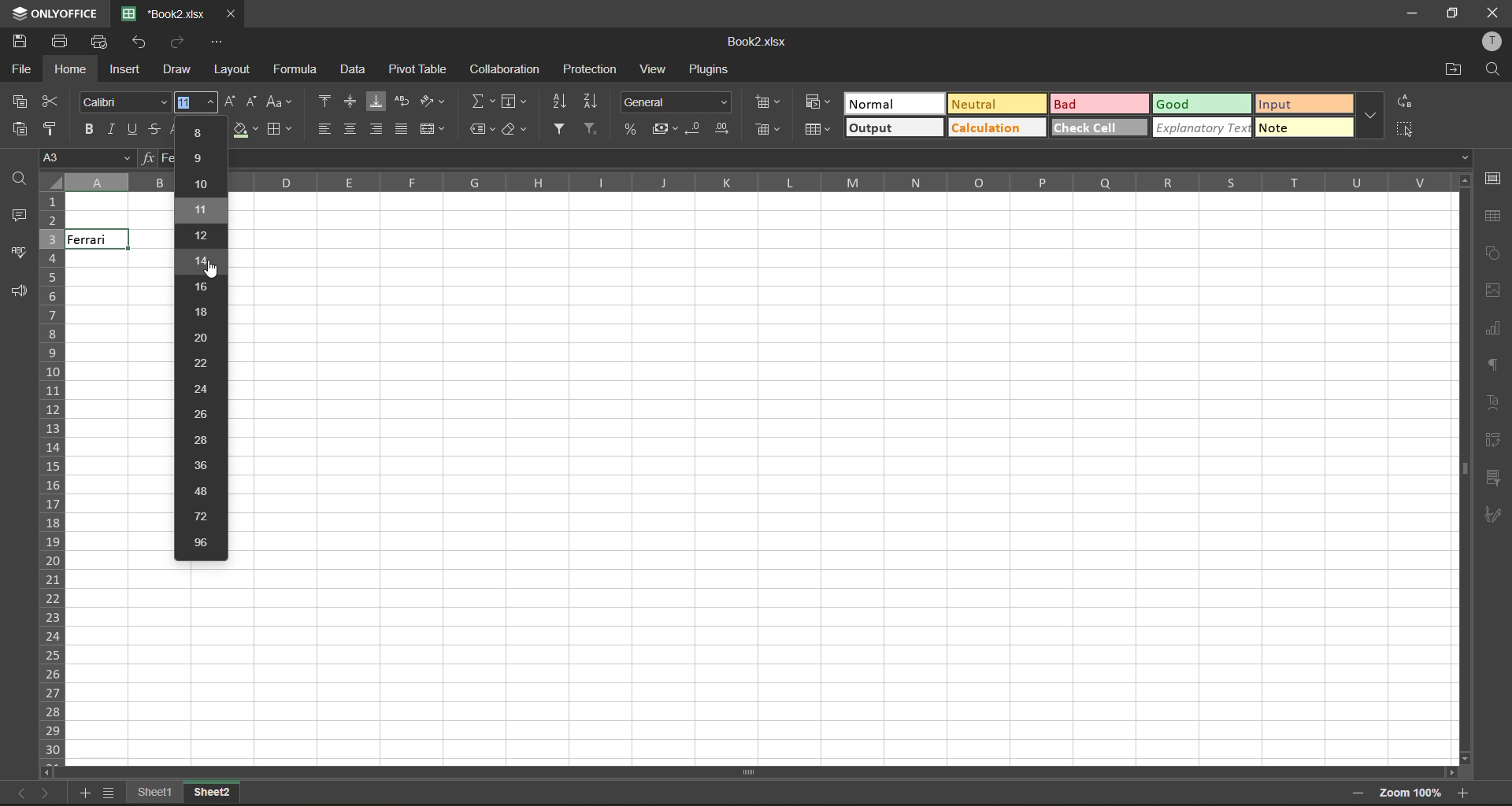 The image size is (1512, 806). Describe the element at coordinates (21, 216) in the screenshot. I see `comments` at that location.